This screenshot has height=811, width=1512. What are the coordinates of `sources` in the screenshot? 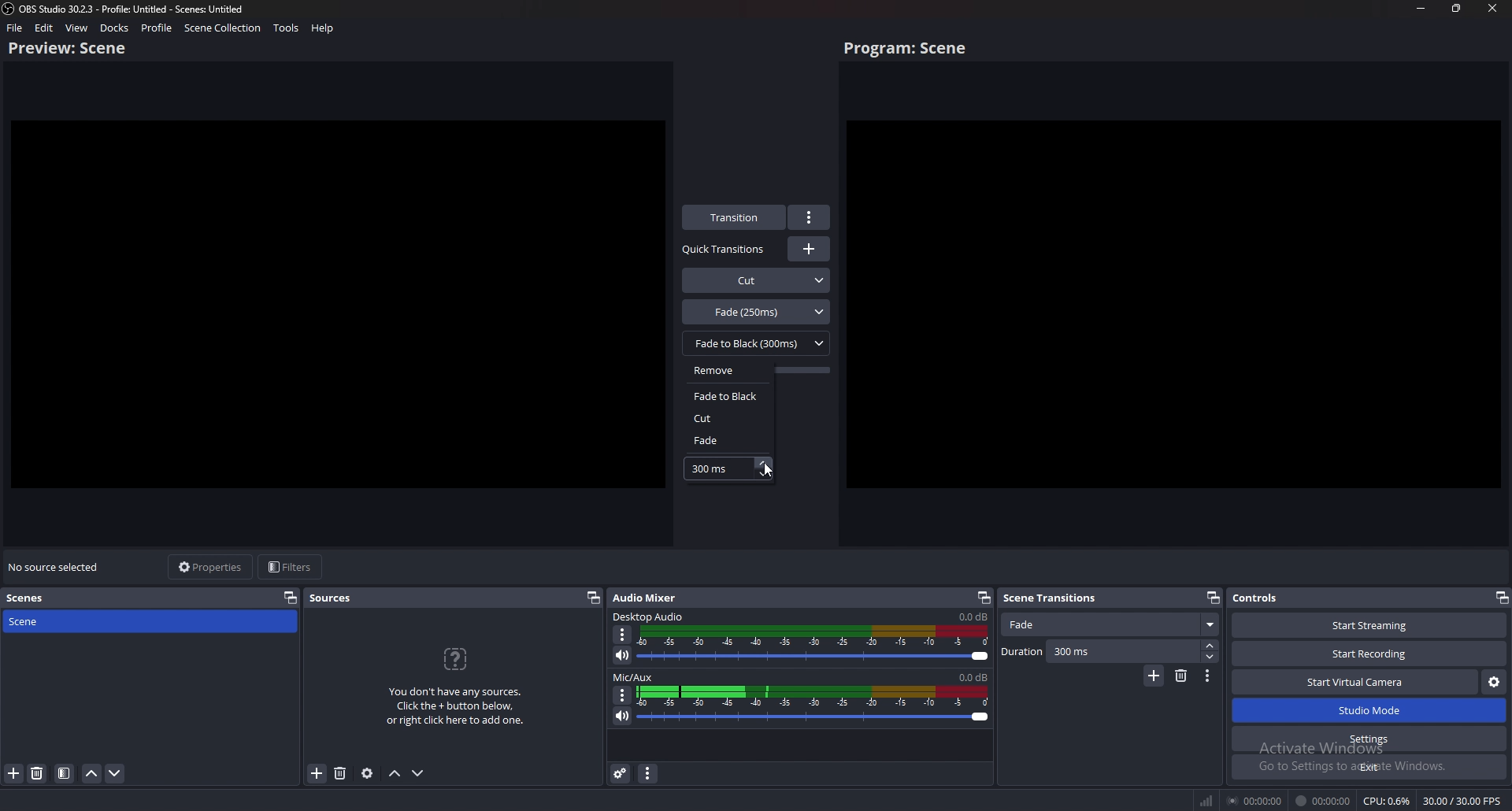 It's located at (332, 598).